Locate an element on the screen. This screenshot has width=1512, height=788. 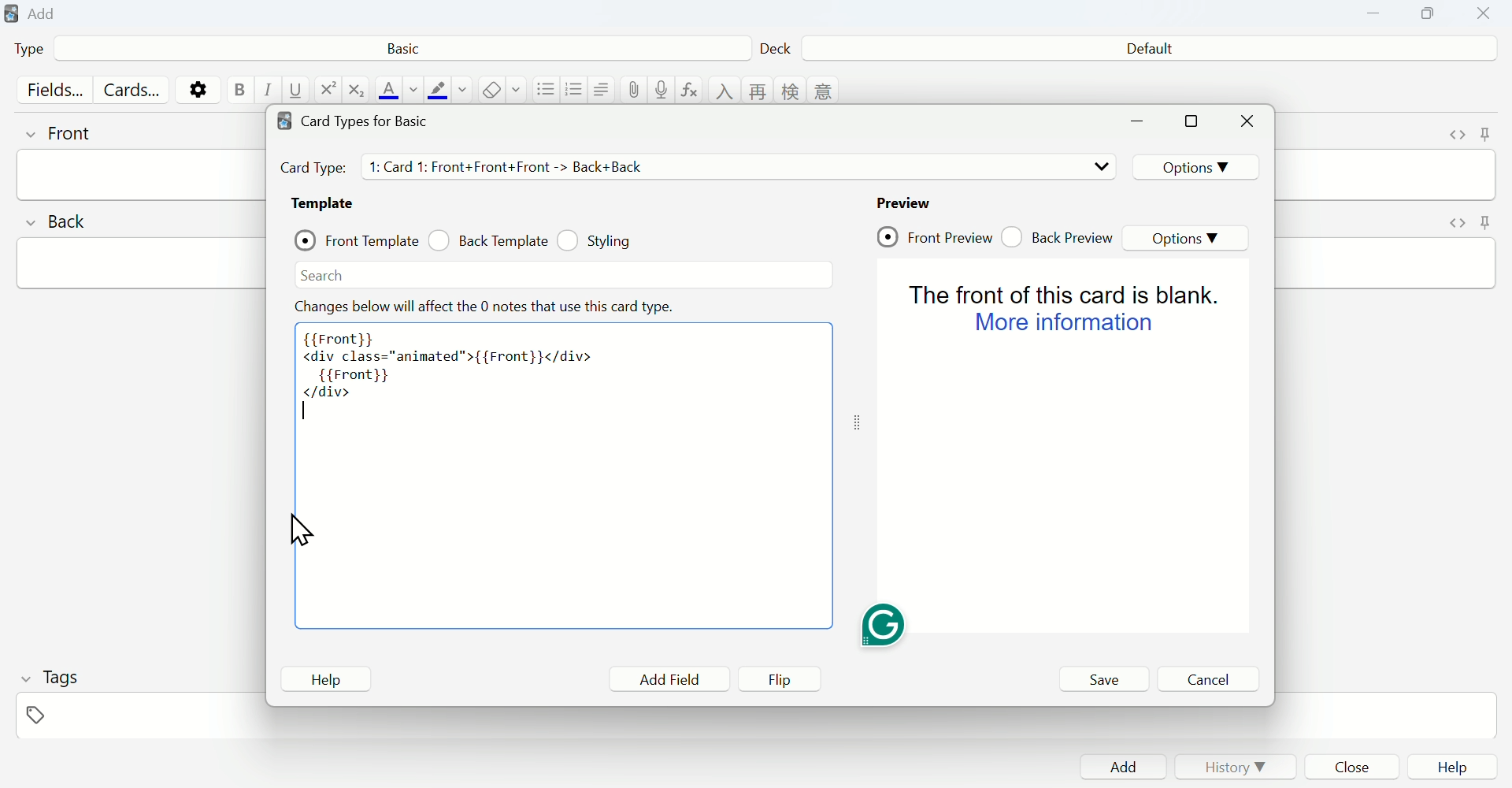
Copy is located at coordinates (1432, 16).